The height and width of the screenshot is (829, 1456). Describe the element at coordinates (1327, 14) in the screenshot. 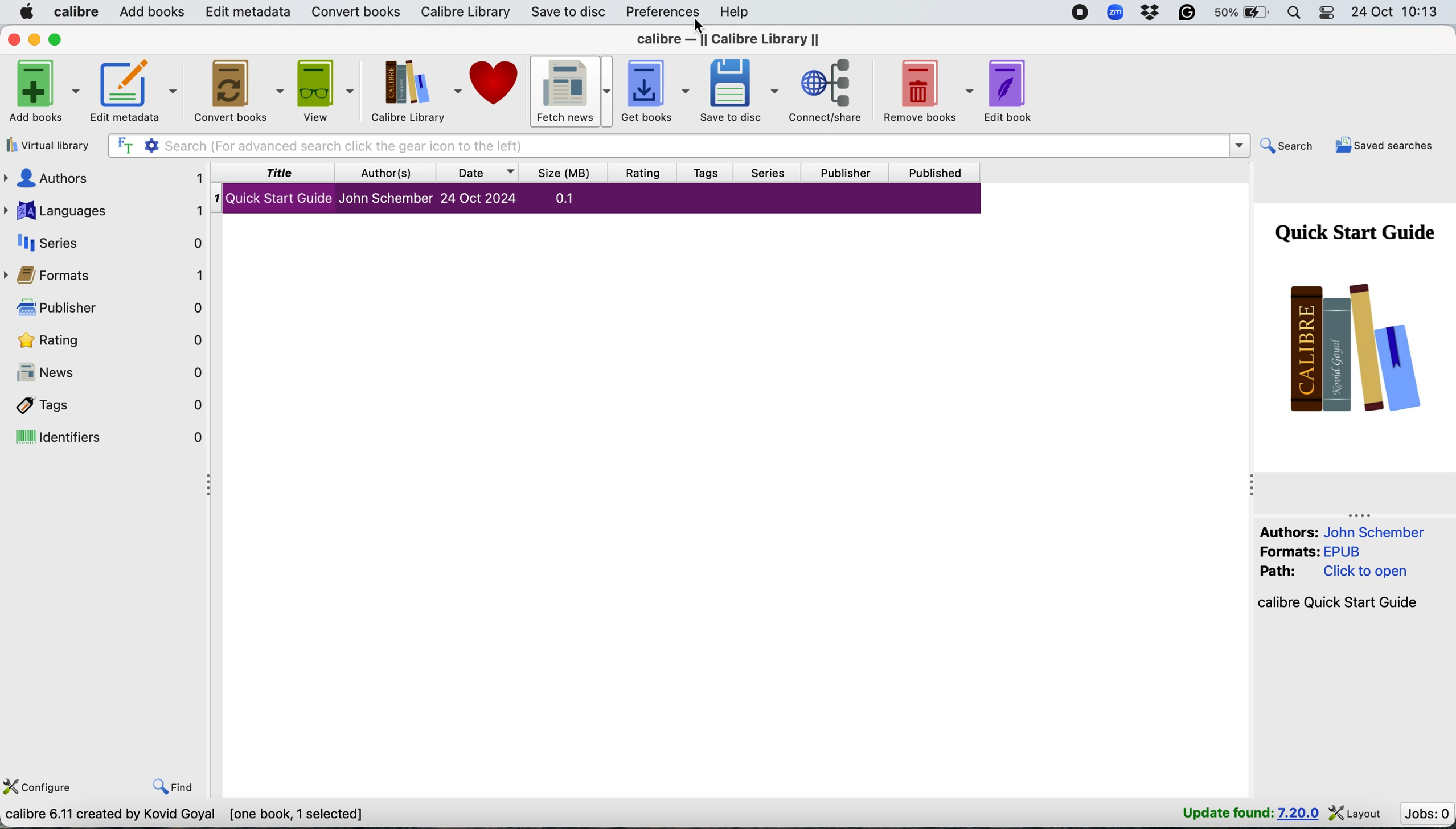

I see `control center` at that location.